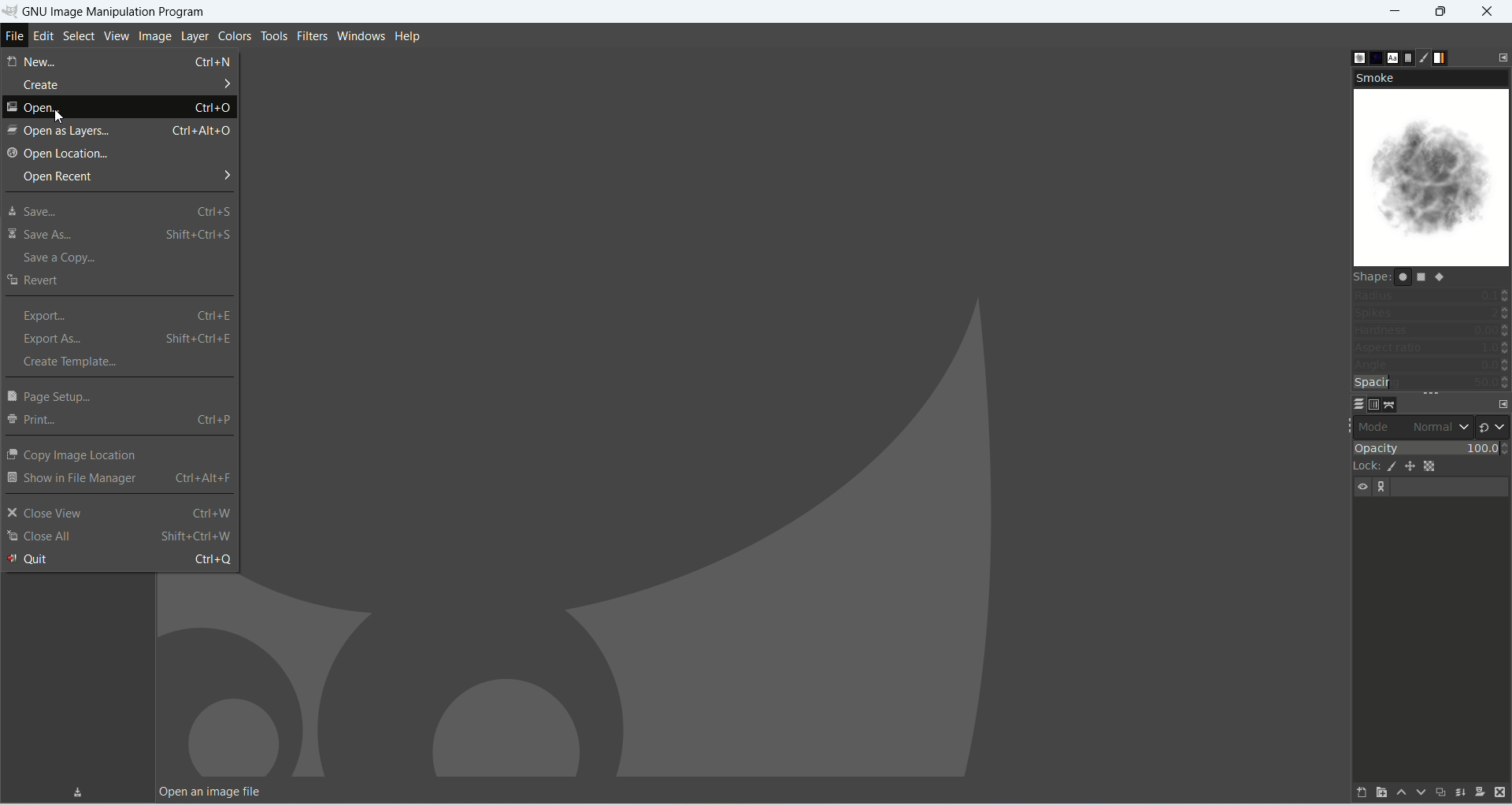  Describe the element at coordinates (115, 35) in the screenshot. I see `View` at that location.